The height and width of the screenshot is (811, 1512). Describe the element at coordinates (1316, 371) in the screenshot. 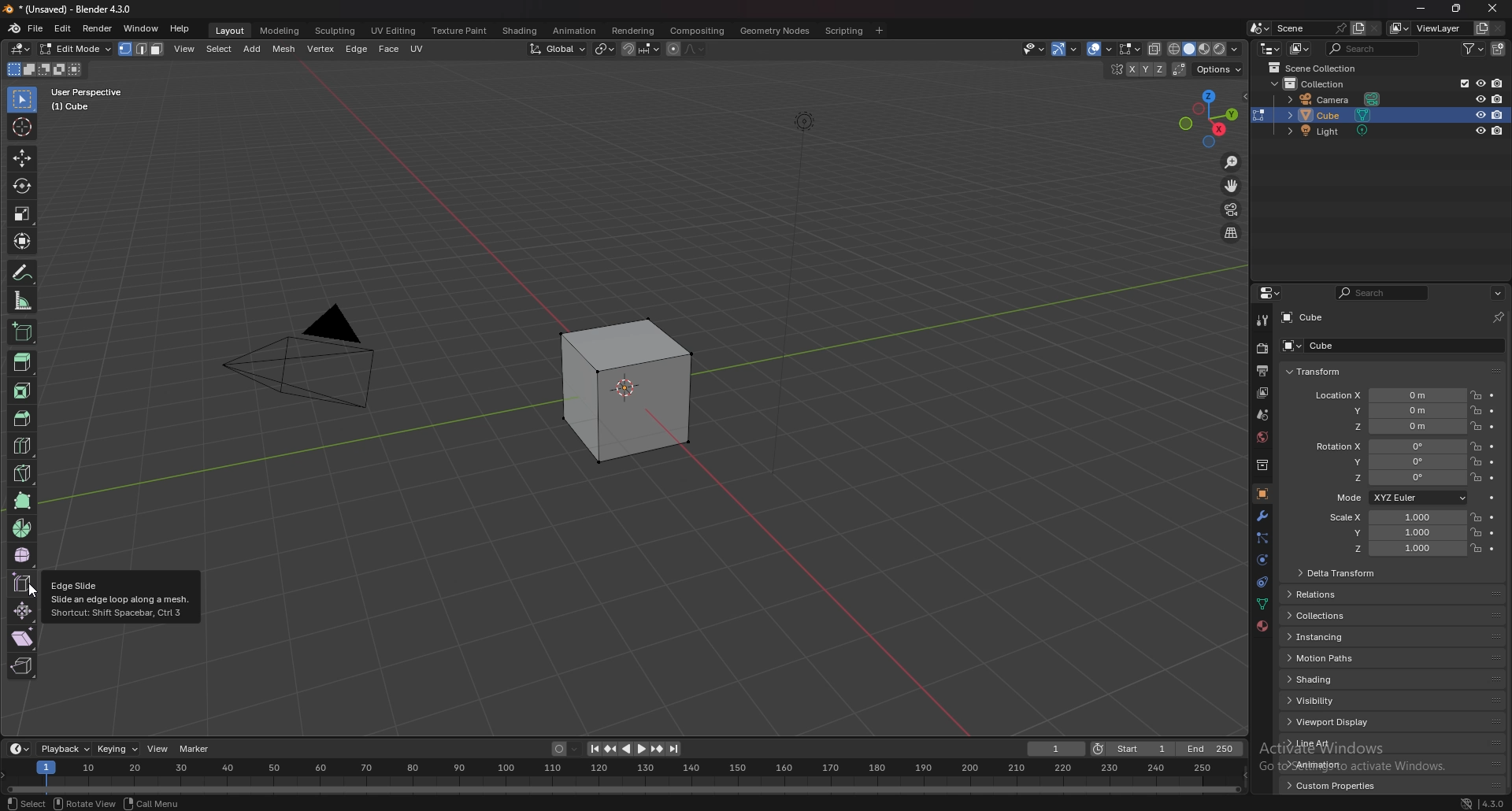

I see `transform` at that location.